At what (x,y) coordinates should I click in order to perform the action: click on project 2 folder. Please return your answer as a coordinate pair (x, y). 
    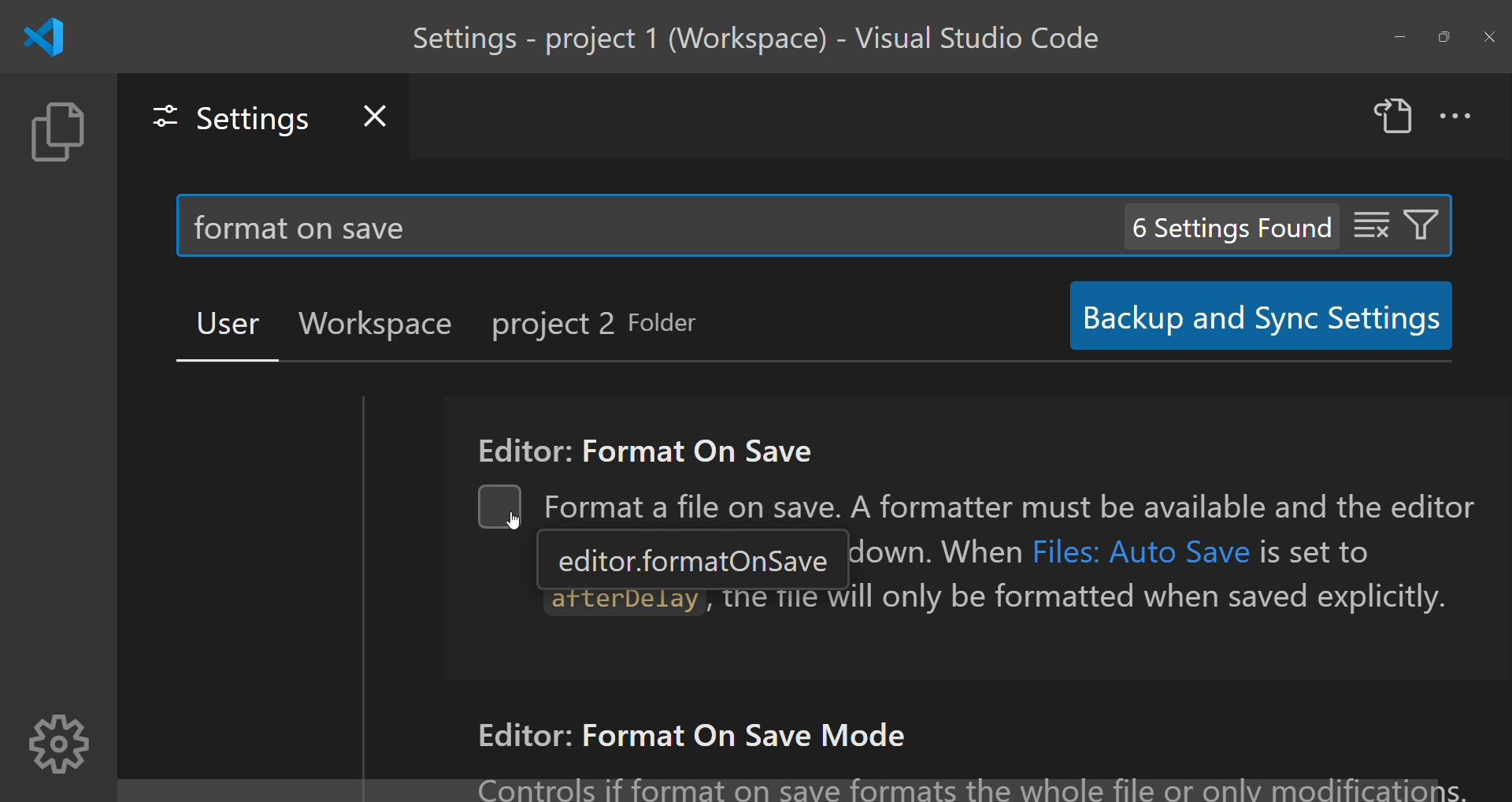
    Looking at the image, I should click on (609, 326).